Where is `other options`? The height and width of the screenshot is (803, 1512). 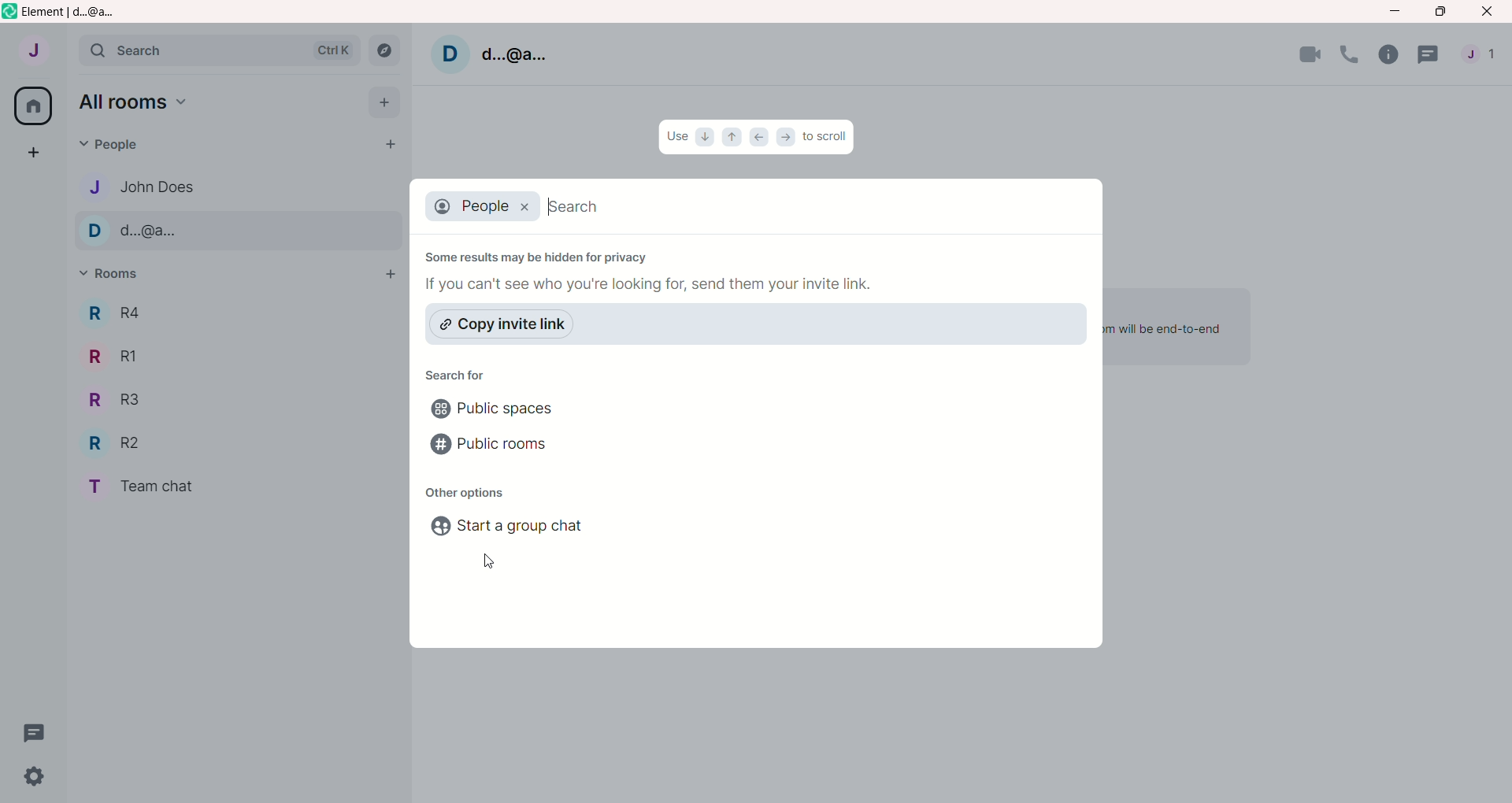
other options is located at coordinates (474, 490).